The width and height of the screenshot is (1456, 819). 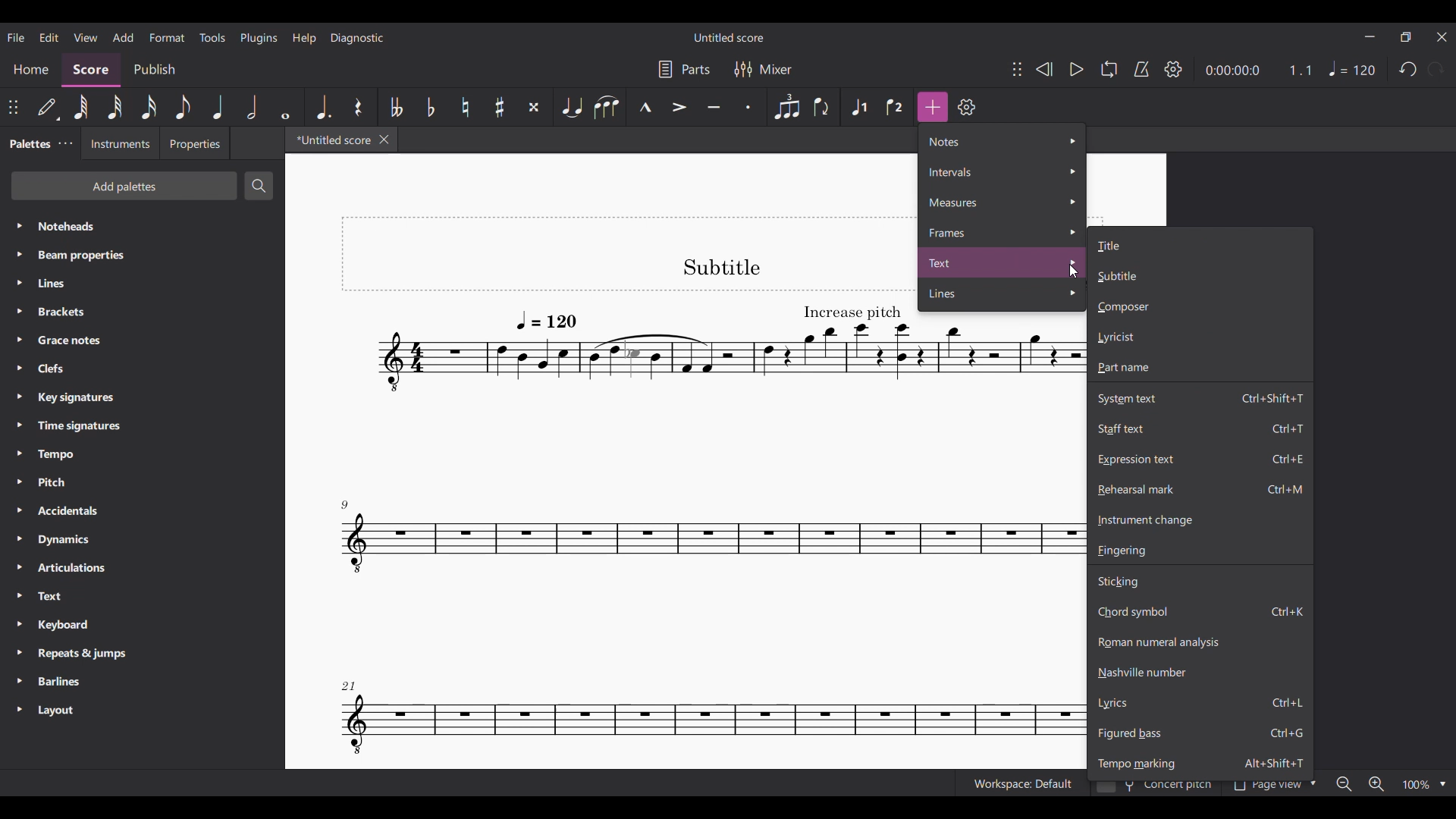 What do you see at coordinates (357, 38) in the screenshot?
I see `Diagnostic menu` at bounding box center [357, 38].